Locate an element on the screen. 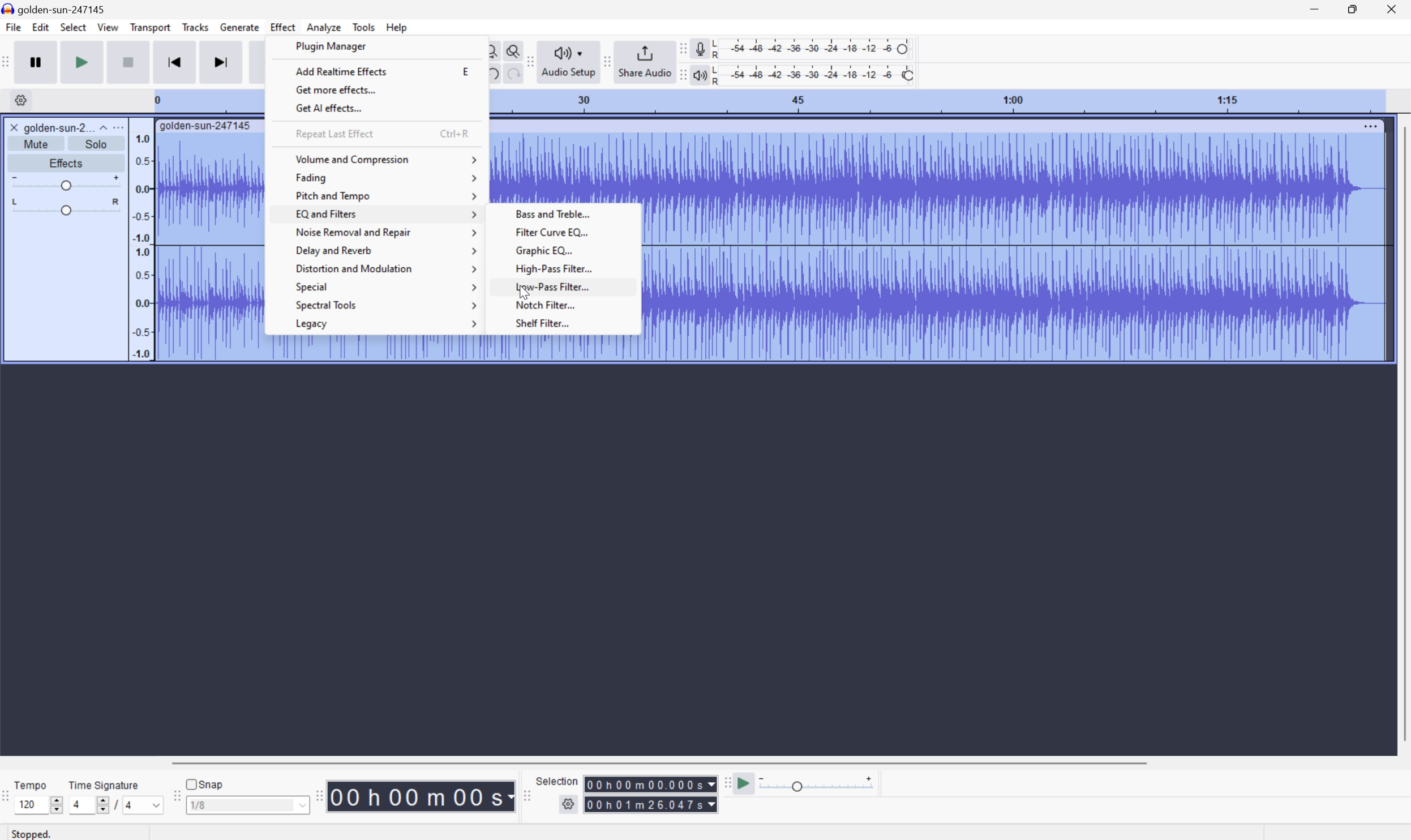 Image resolution: width=1411 pixels, height=840 pixels. Fading is located at coordinates (390, 177).